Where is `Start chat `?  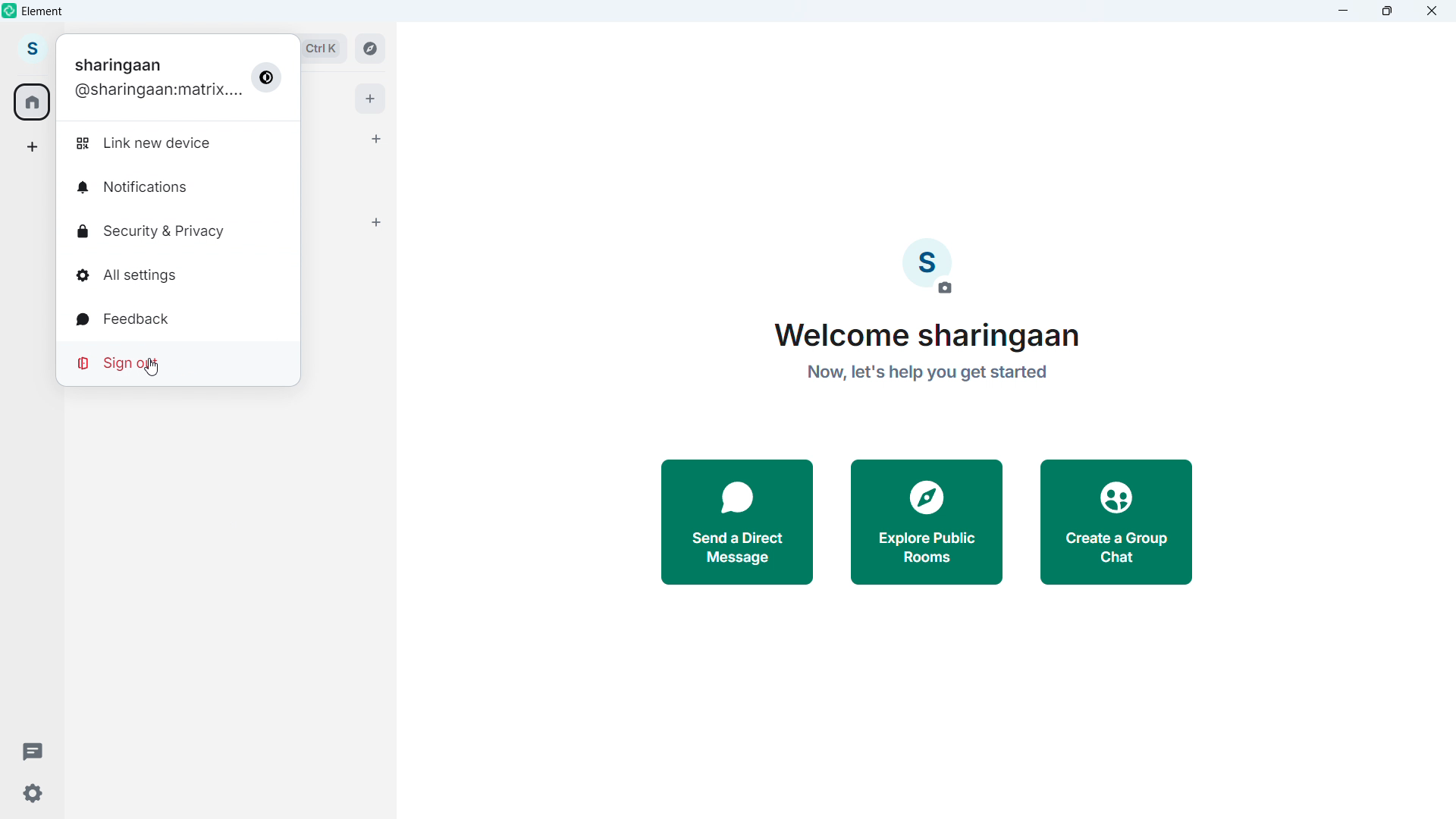 Start chat  is located at coordinates (373, 137).